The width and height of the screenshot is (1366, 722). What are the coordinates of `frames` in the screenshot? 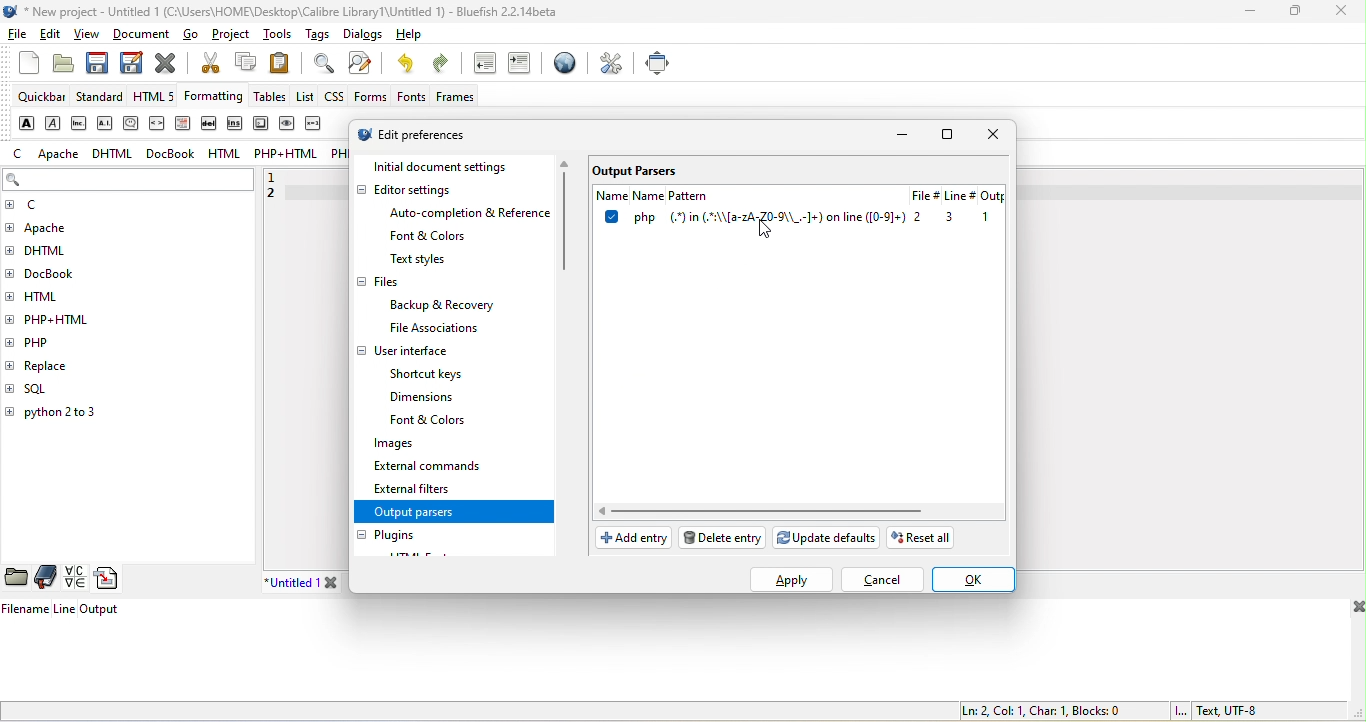 It's located at (467, 98).